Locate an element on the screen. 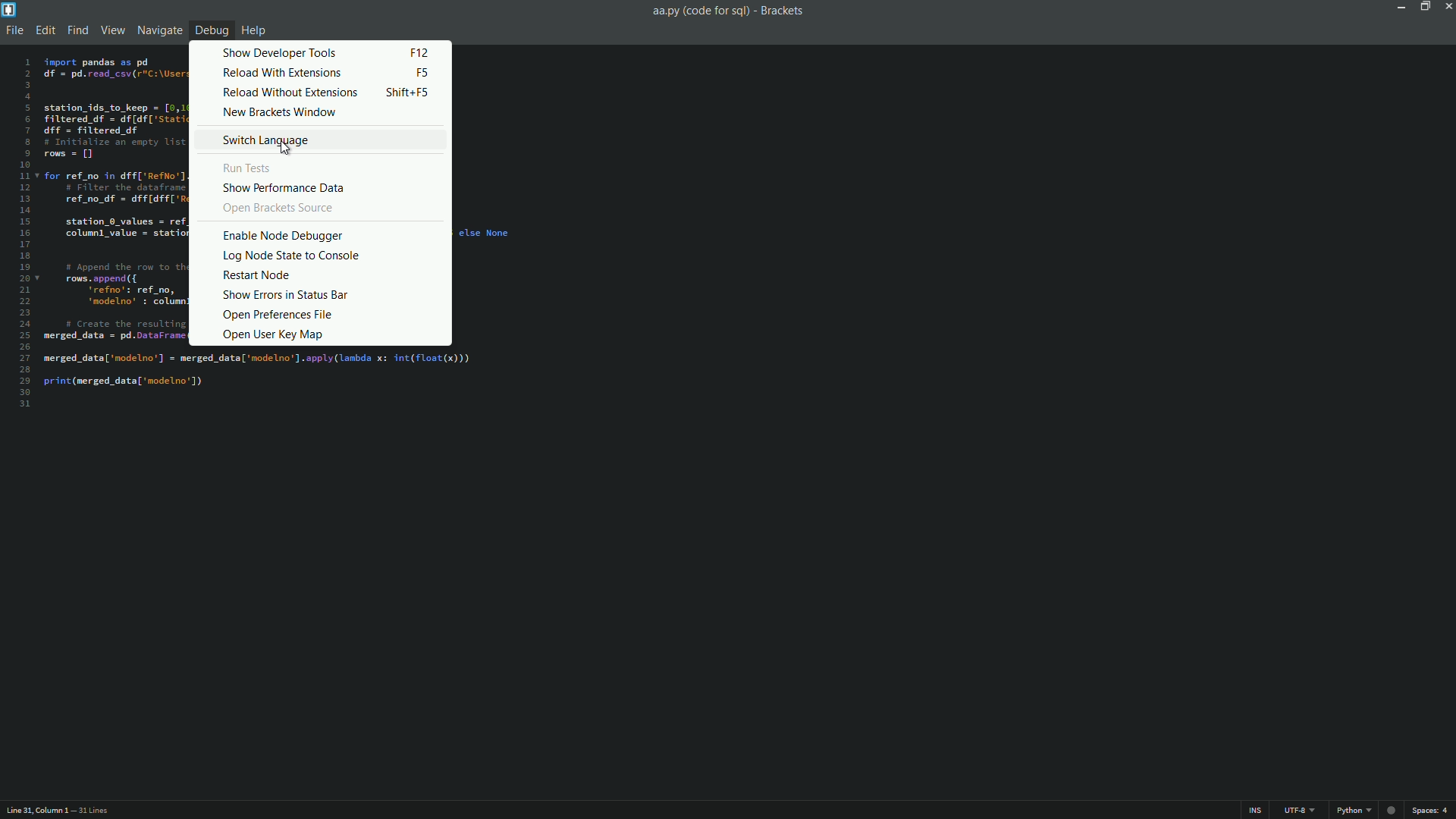 This screenshot has height=819, width=1456. run tests is located at coordinates (248, 168).